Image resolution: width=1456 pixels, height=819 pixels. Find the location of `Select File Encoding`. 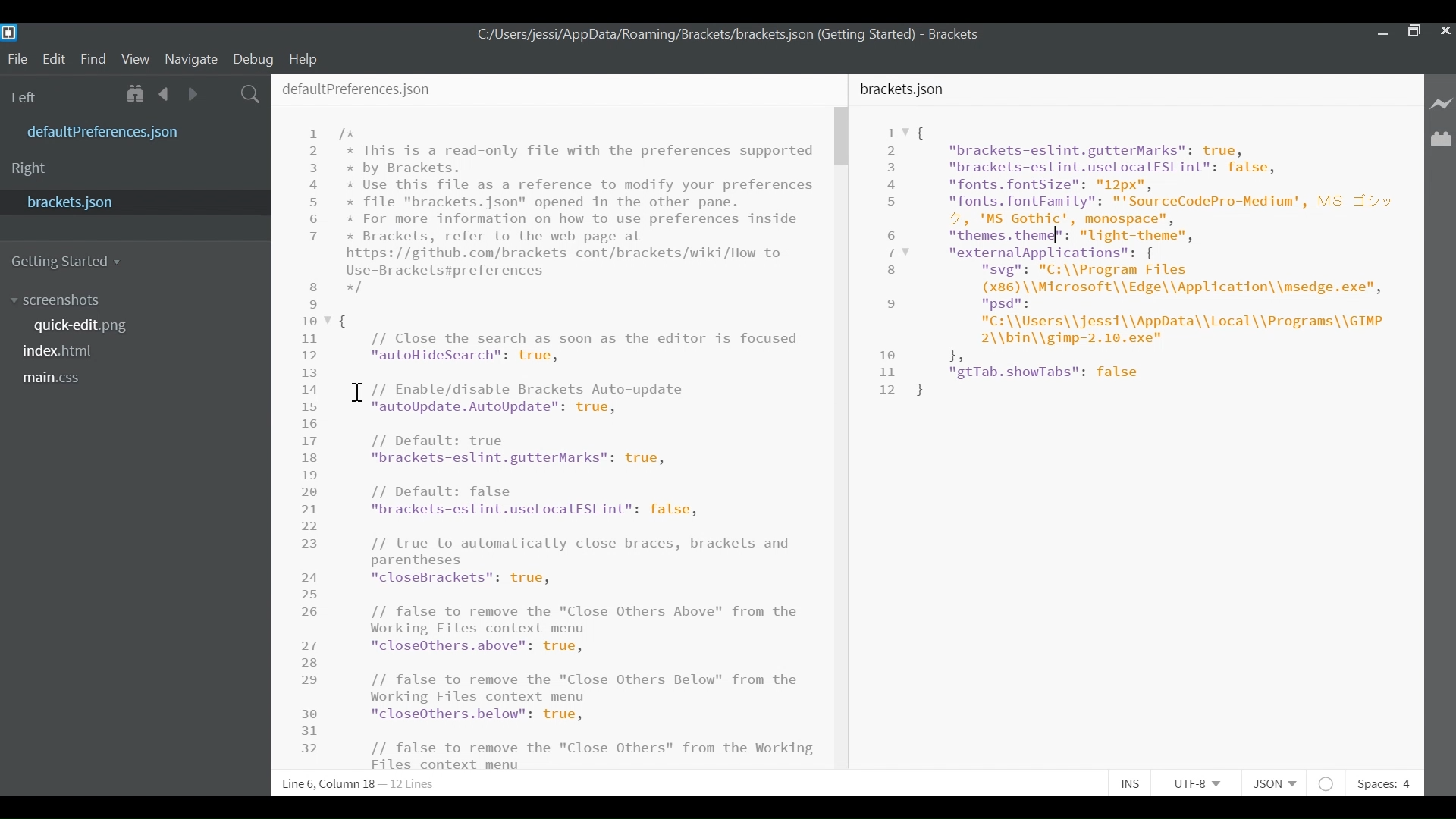

Select File Encoding is located at coordinates (1197, 786).